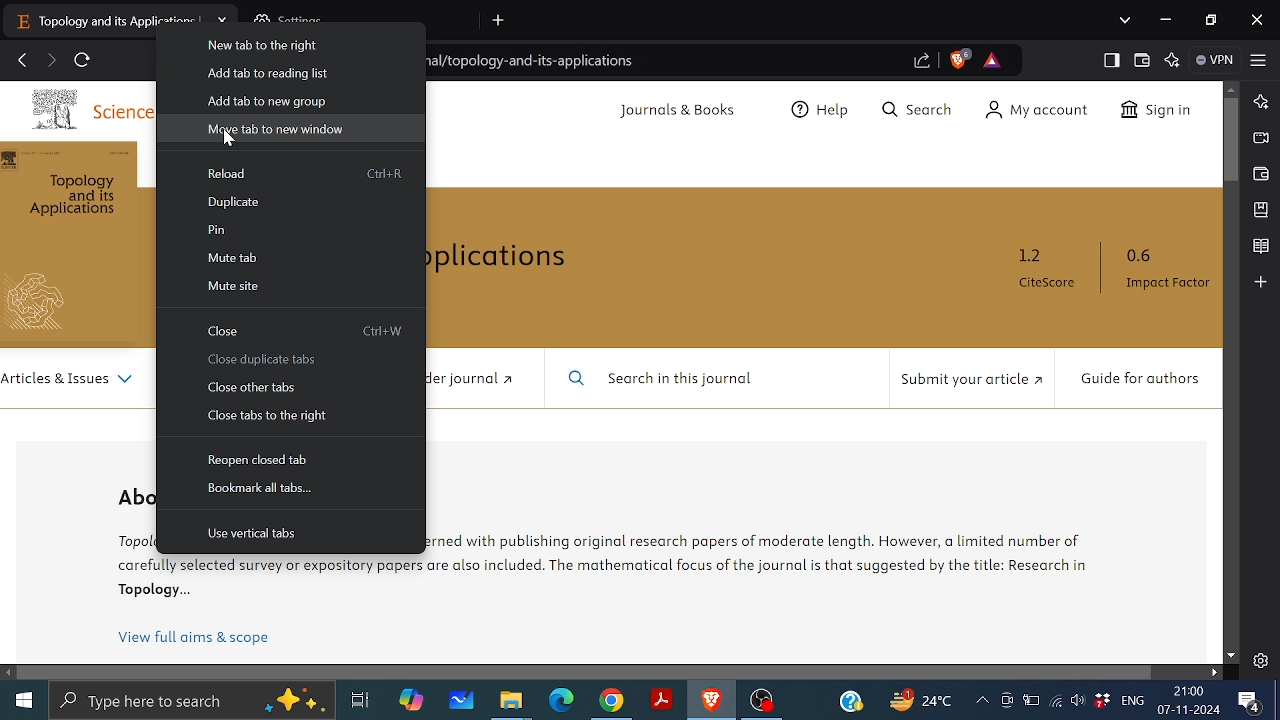 The width and height of the screenshot is (1280, 720). What do you see at coordinates (191, 702) in the screenshot?
I see `Type here to search apps` at bounding box center [191, 702].